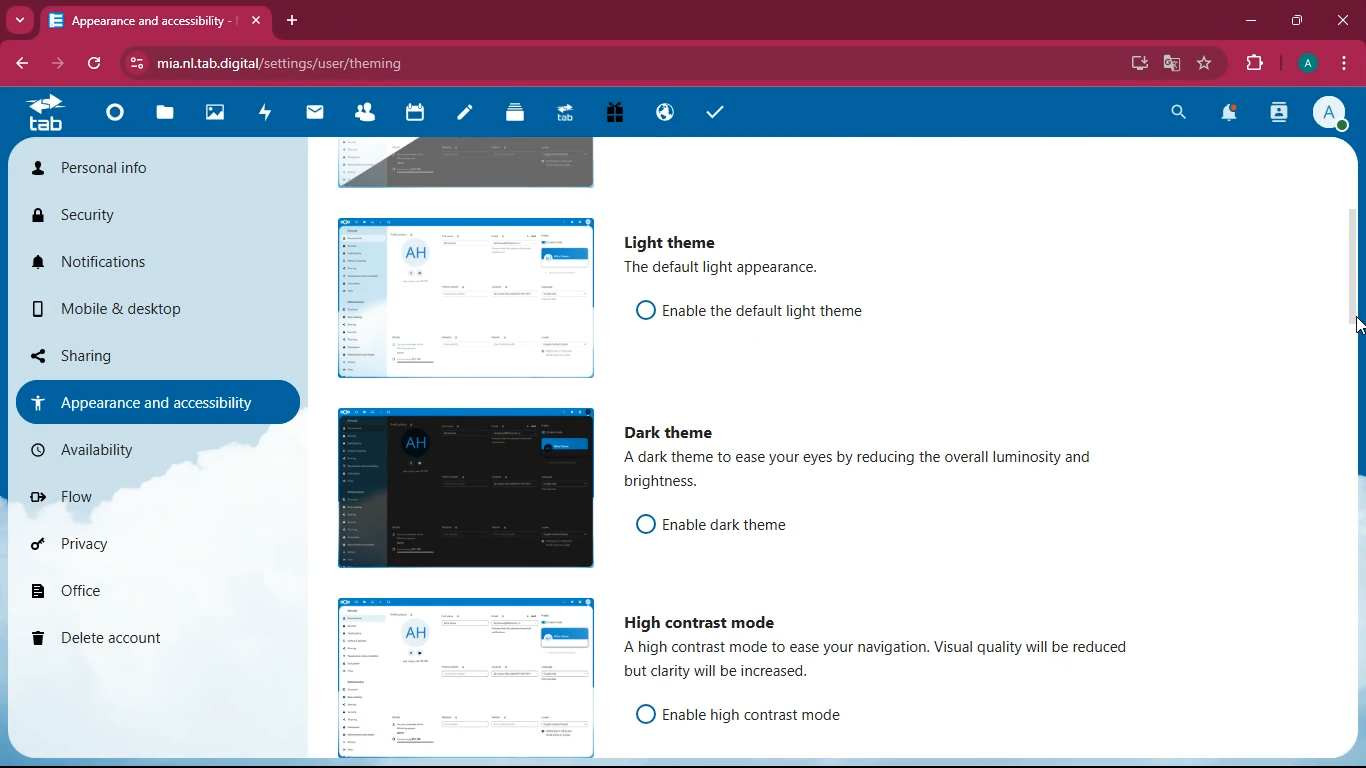  Describe the element at coordinates (662, 114) in the screenshot. I see `public` at that location.